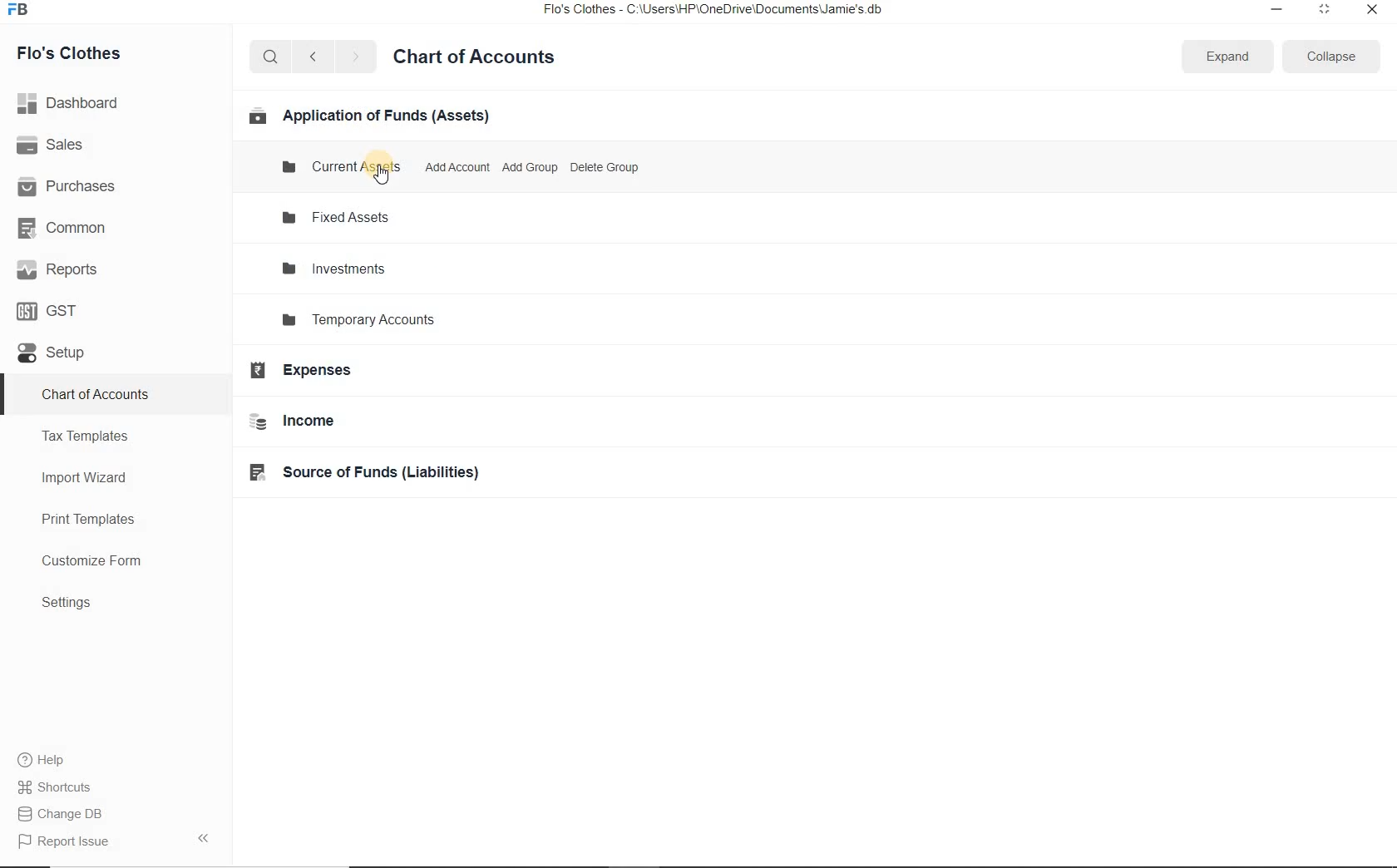 This screenshot has height=868, width=1397. I want to click on Fixed Assets, so click(363, 218).